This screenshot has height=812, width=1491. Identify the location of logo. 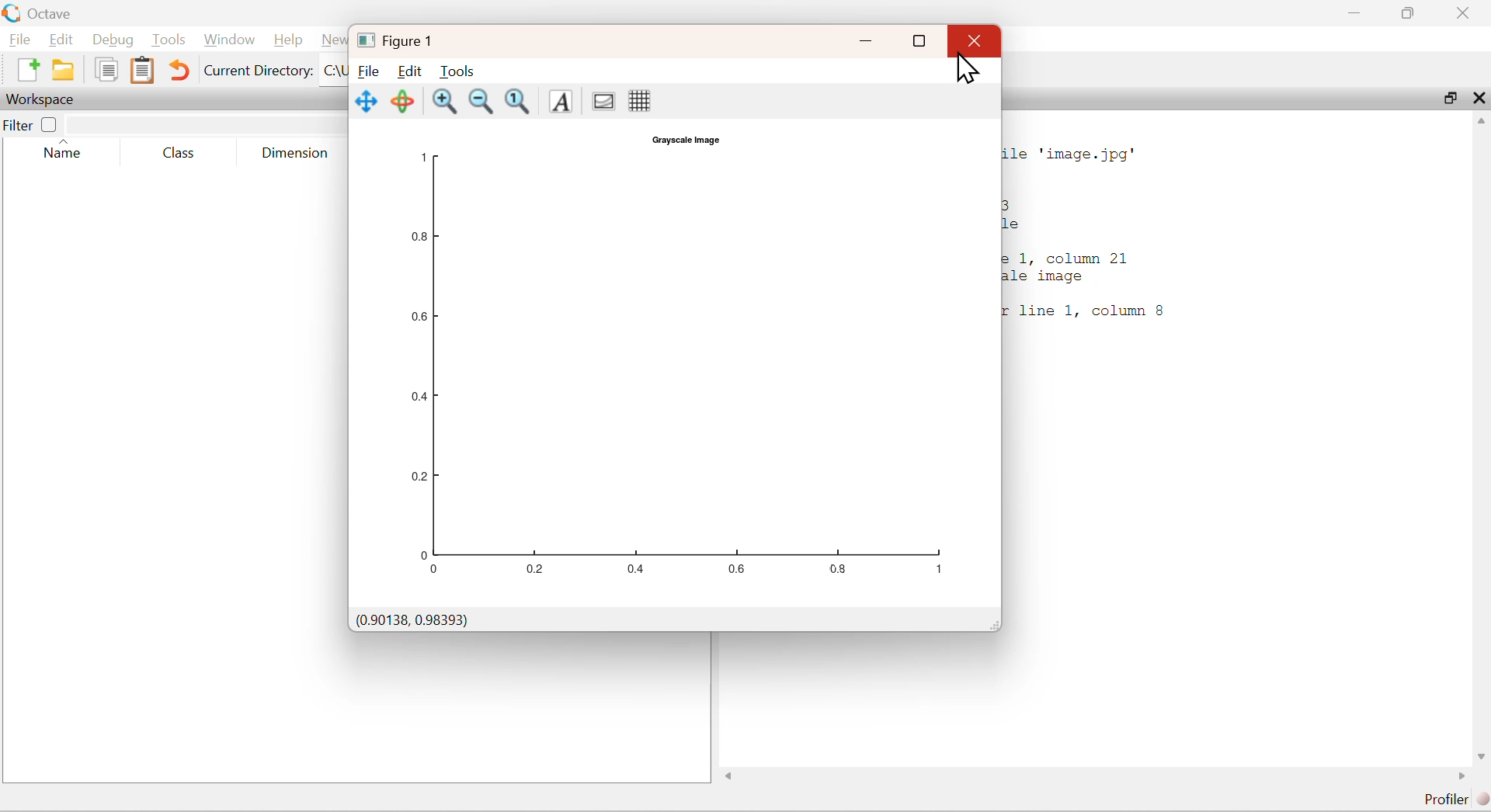
(13, 15).